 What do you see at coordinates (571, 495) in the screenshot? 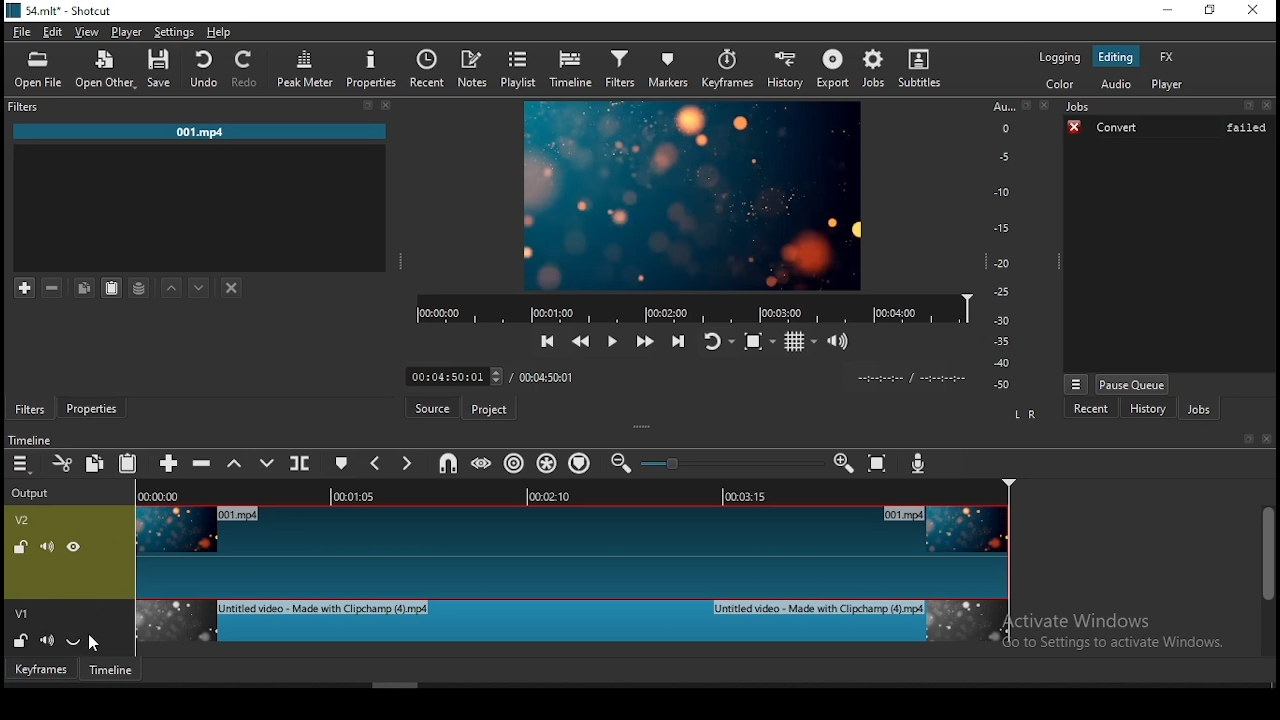
I see `timeline` at bounding box center [571, 495].